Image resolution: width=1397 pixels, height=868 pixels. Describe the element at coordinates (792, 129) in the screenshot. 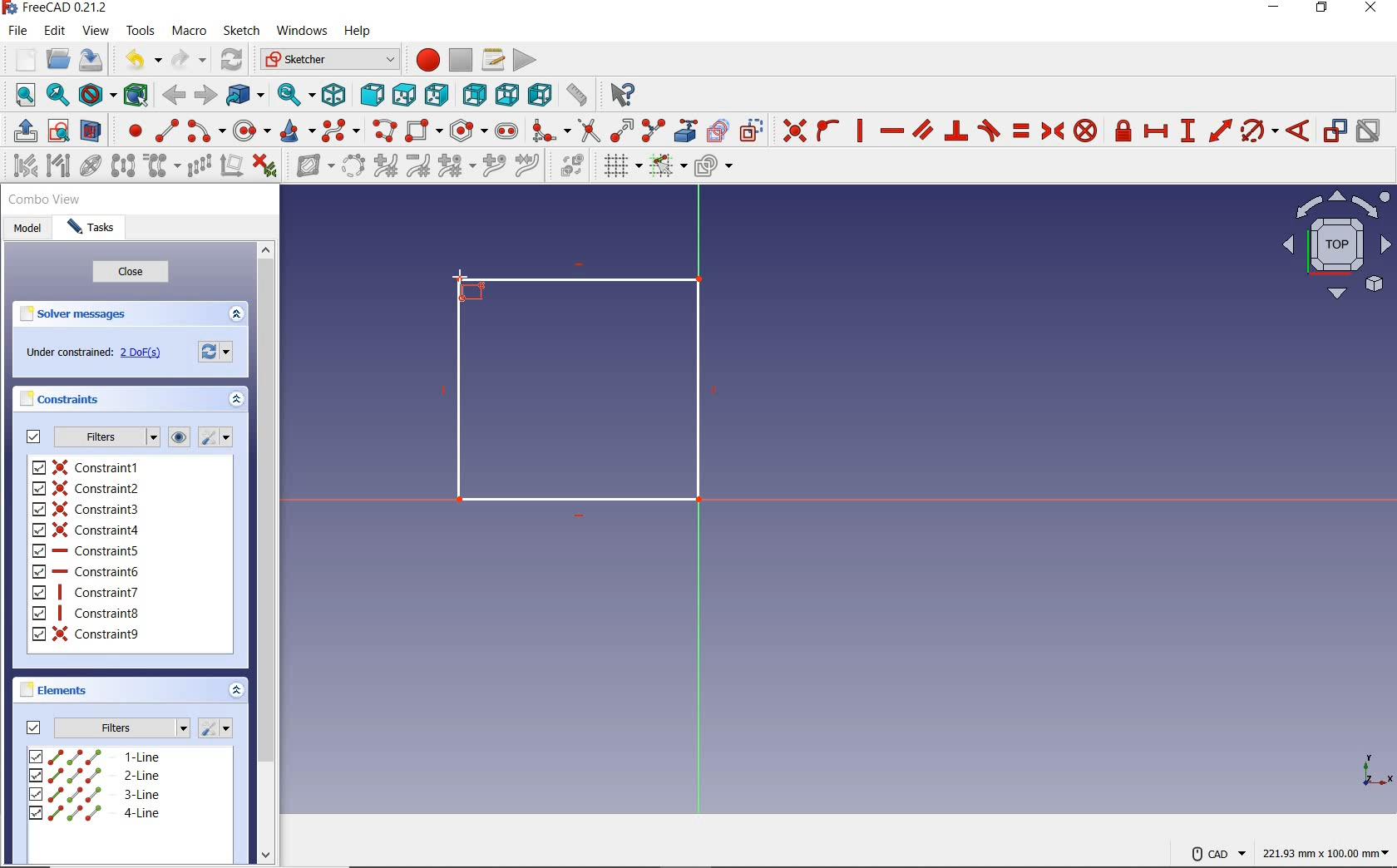

I see `constrain coincident` at that location.